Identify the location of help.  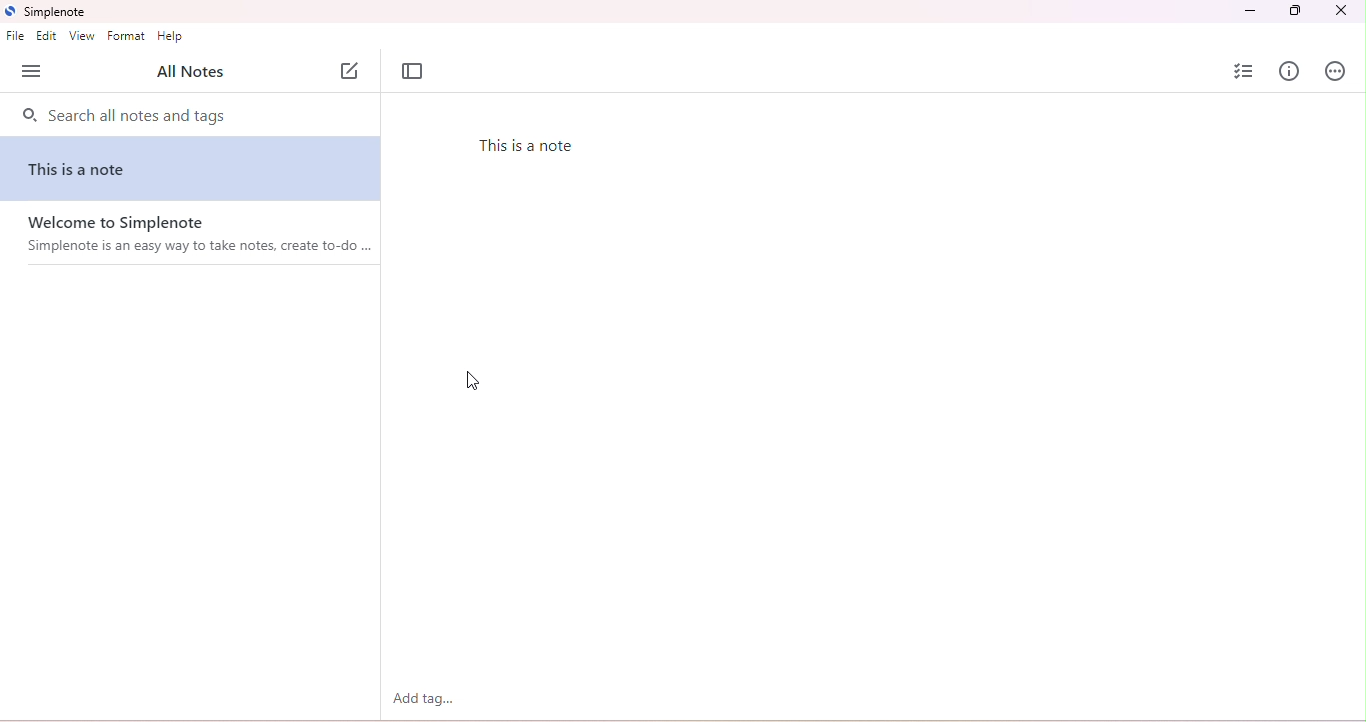
(172, 37).